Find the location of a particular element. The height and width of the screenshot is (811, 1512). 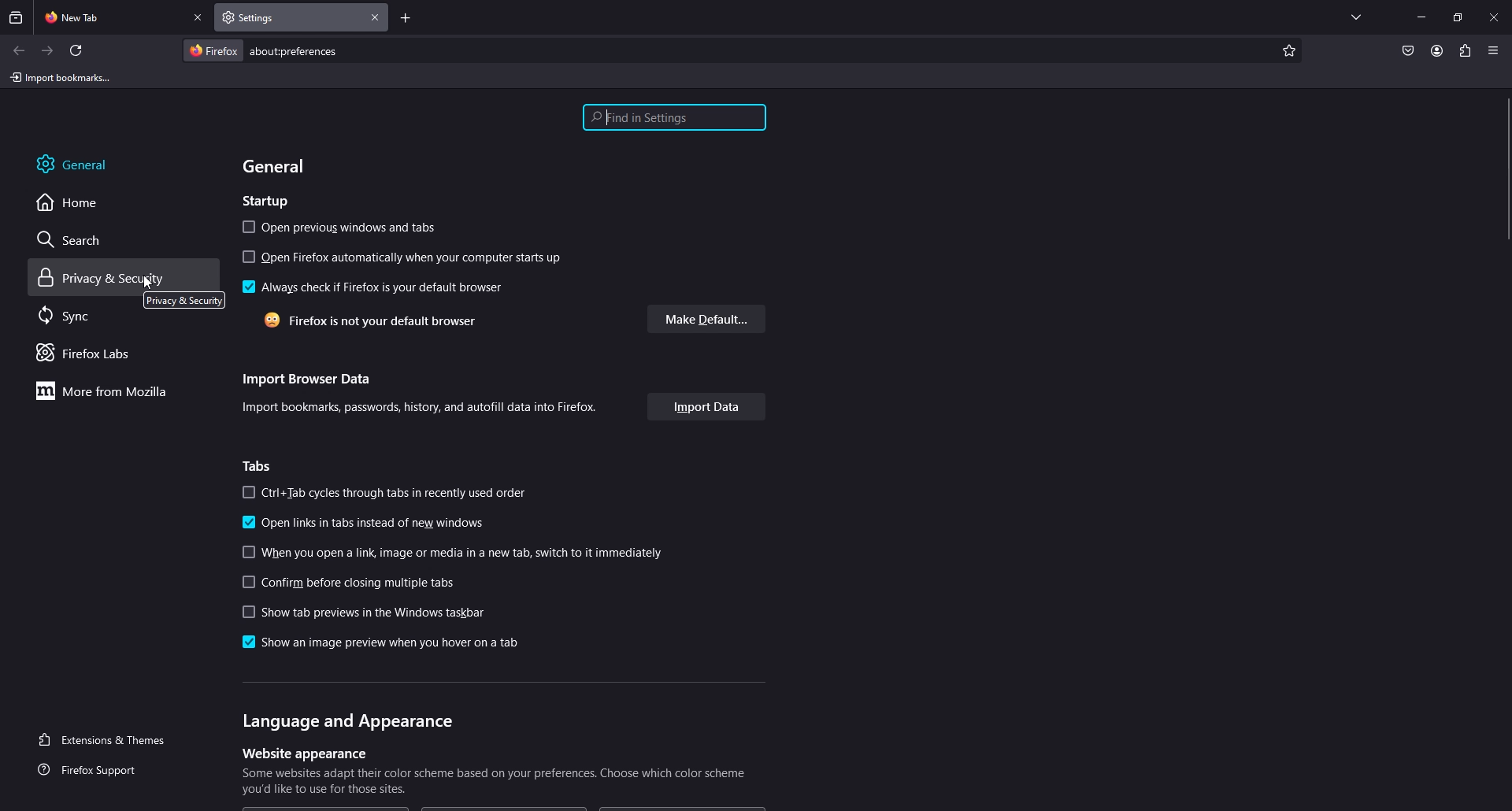

search settings is located at coordinates (674, 119).